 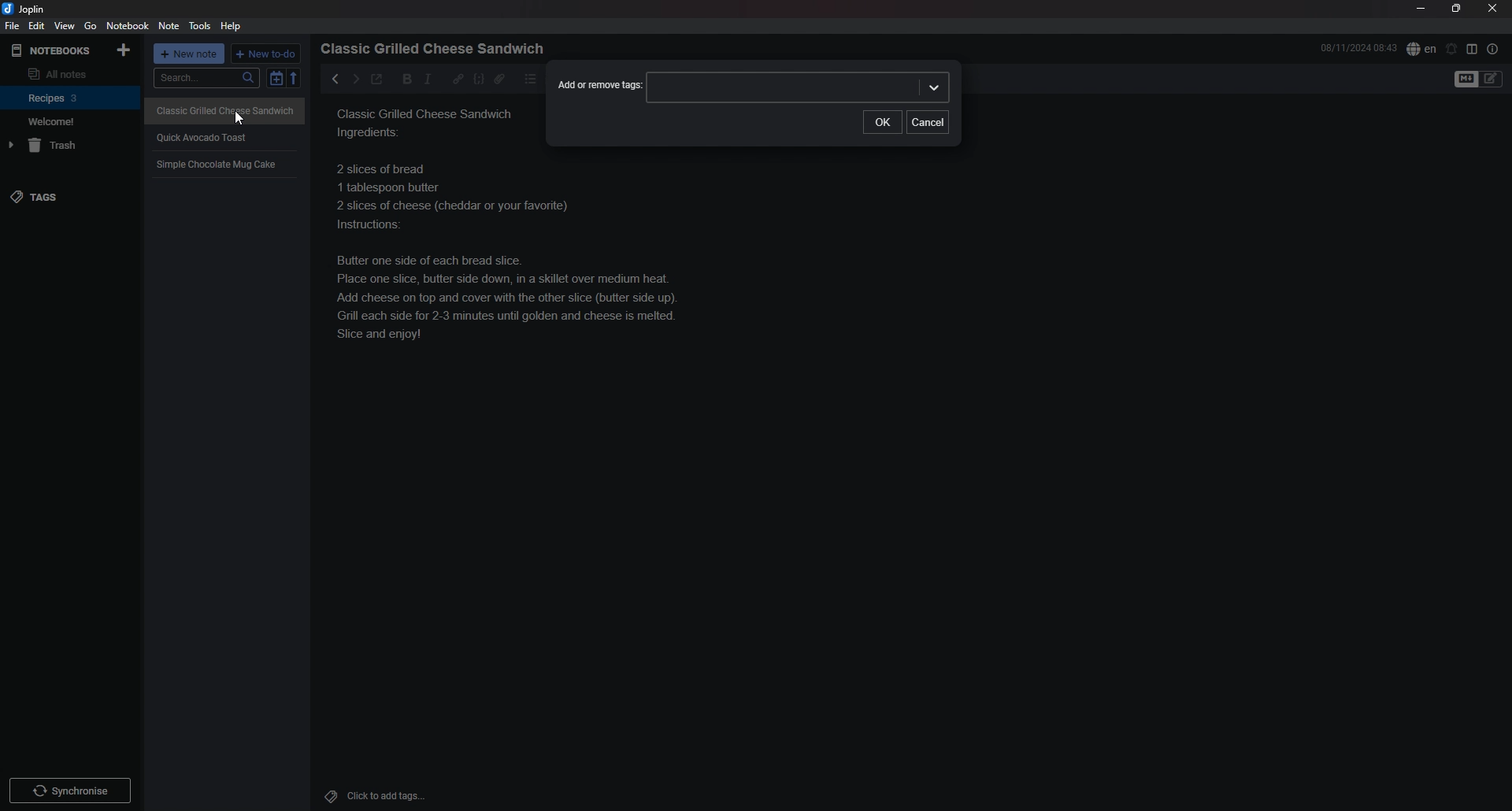 I want to click on toggle sort order, so click(x=276, y=78).